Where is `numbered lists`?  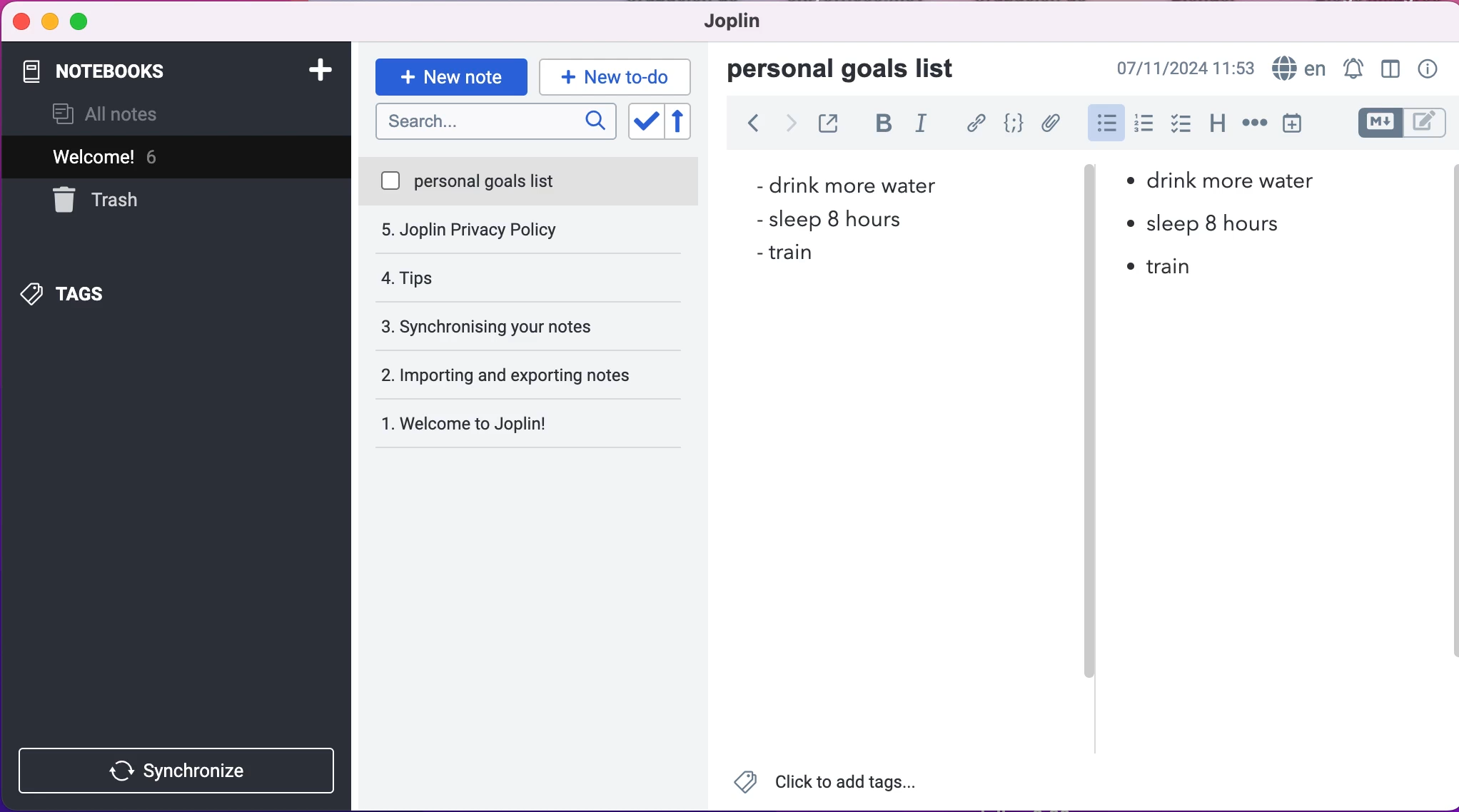
numbered lists is located at coordinates (1144, 126).